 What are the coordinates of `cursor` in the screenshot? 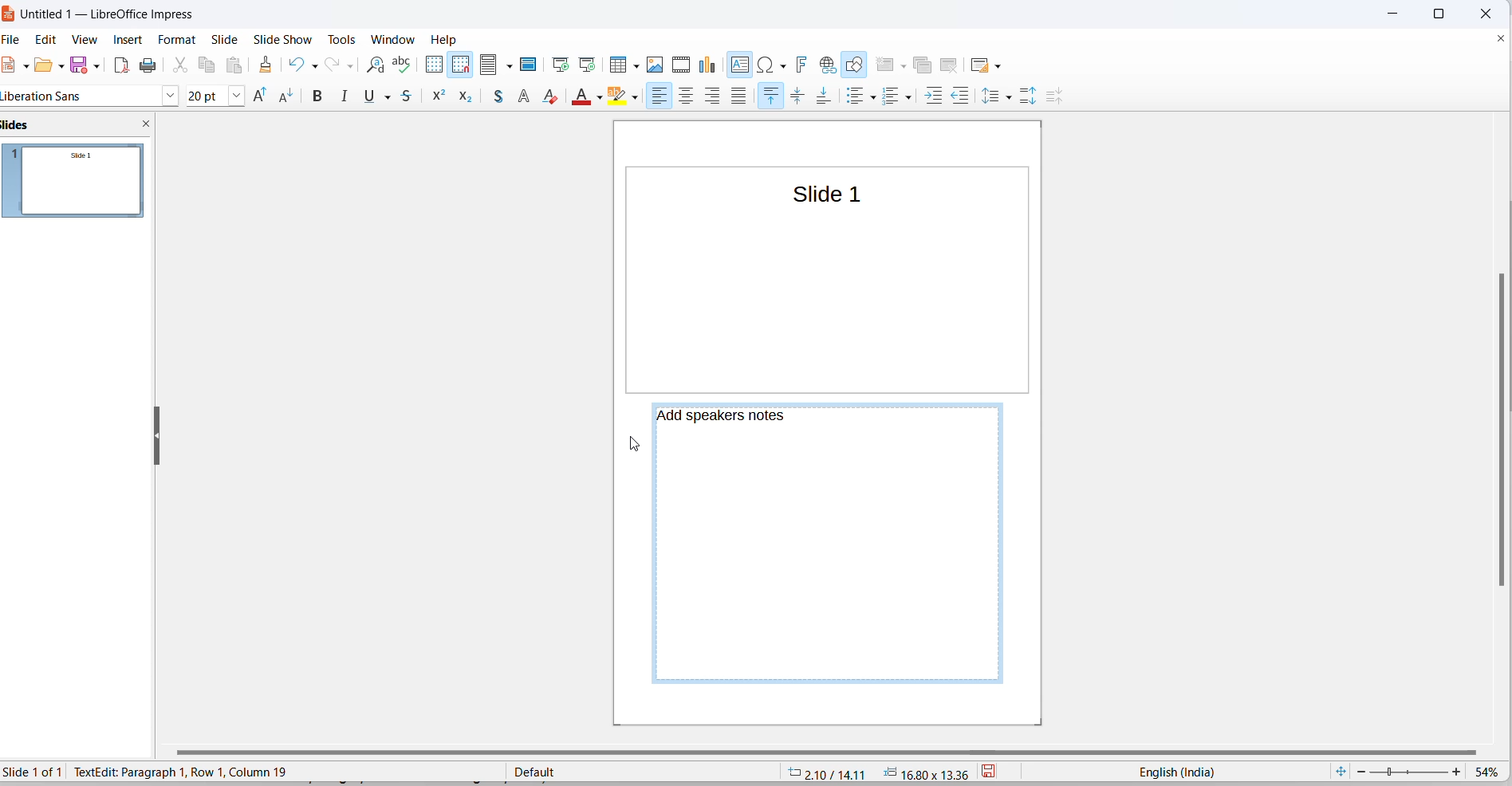 It's located at (632, 442).